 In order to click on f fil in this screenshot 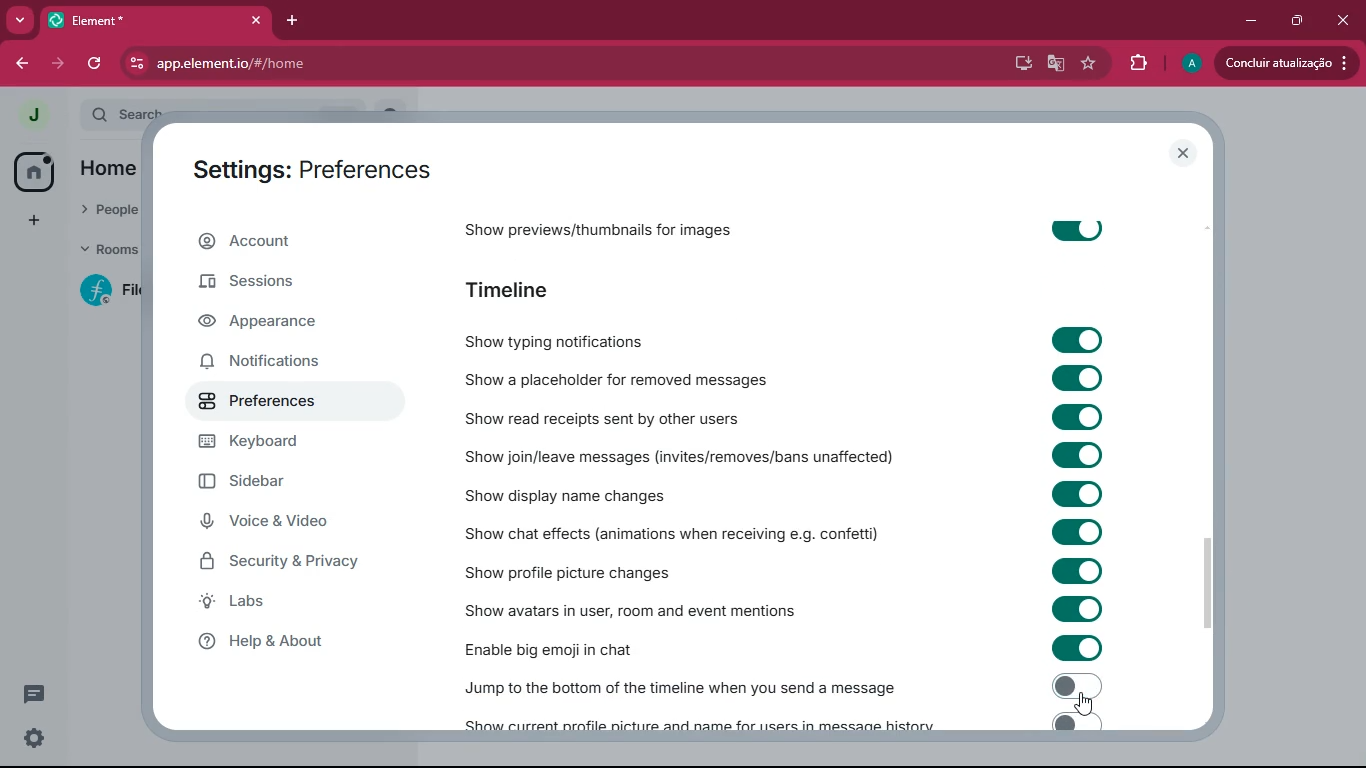, I will do `click(103, 292)`.